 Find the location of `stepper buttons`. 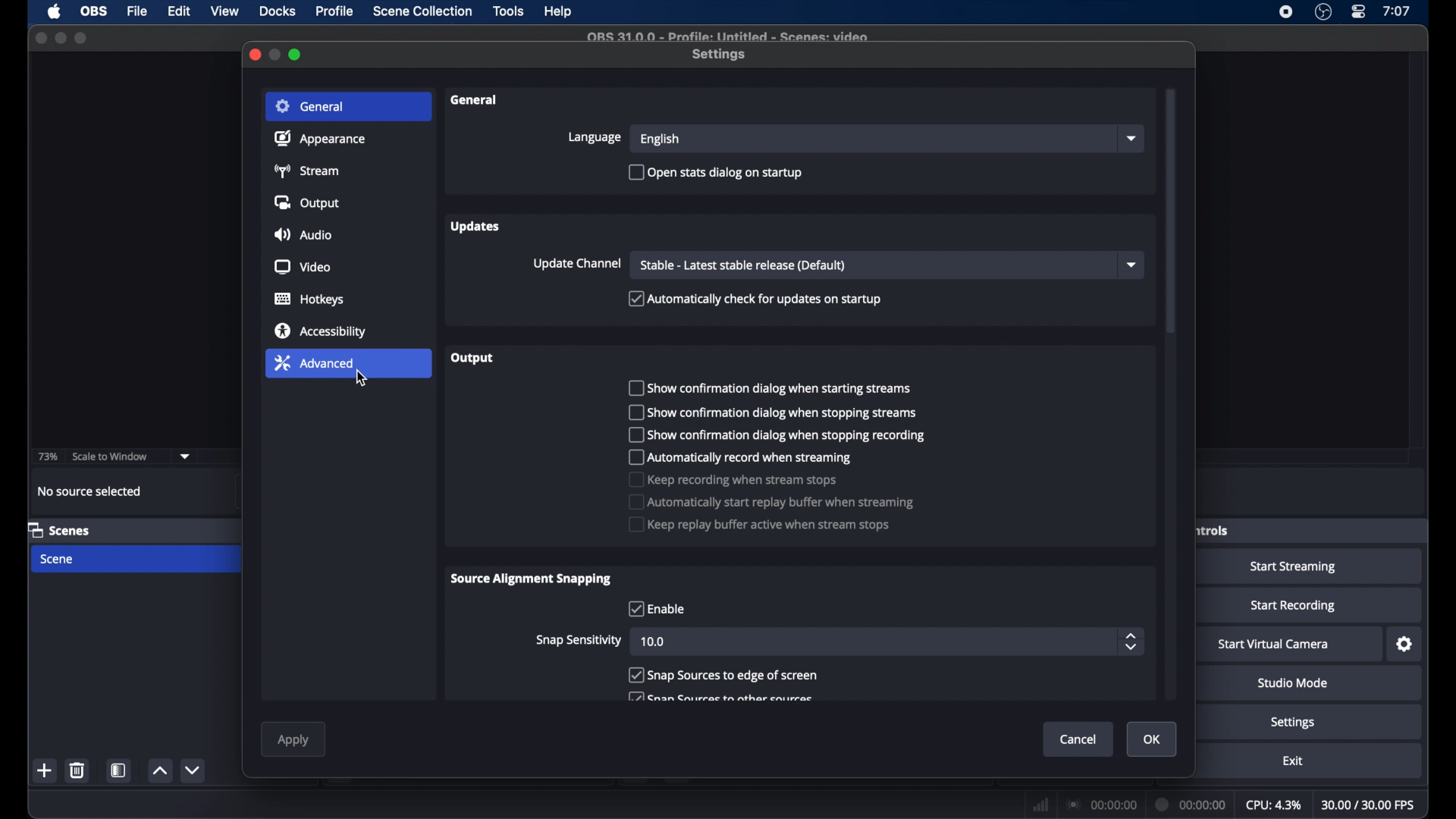

stepper buttons is located at coordinates (1131, 642).